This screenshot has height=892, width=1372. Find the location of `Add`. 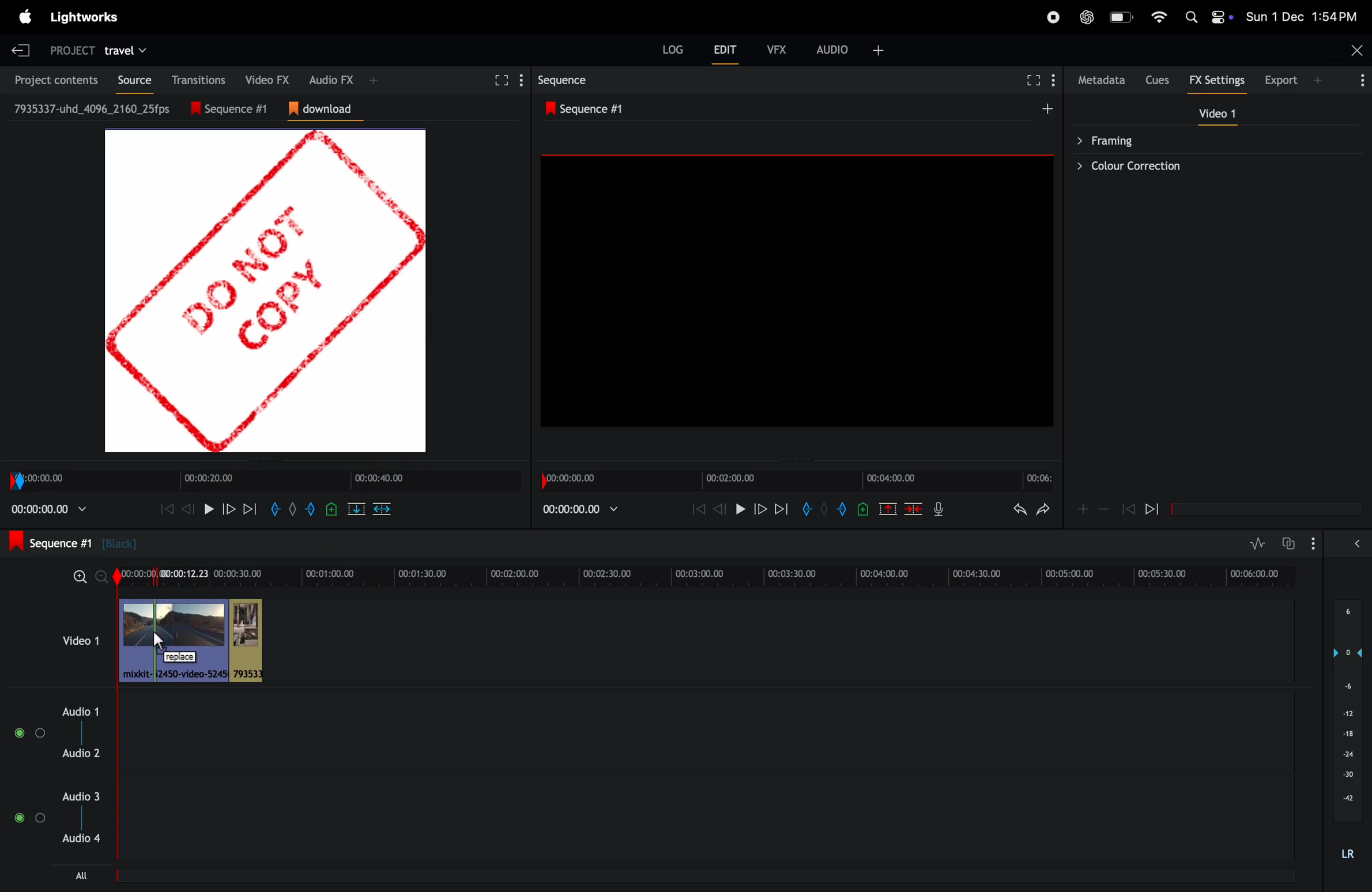

Add is located at coordinates (1047, 108).